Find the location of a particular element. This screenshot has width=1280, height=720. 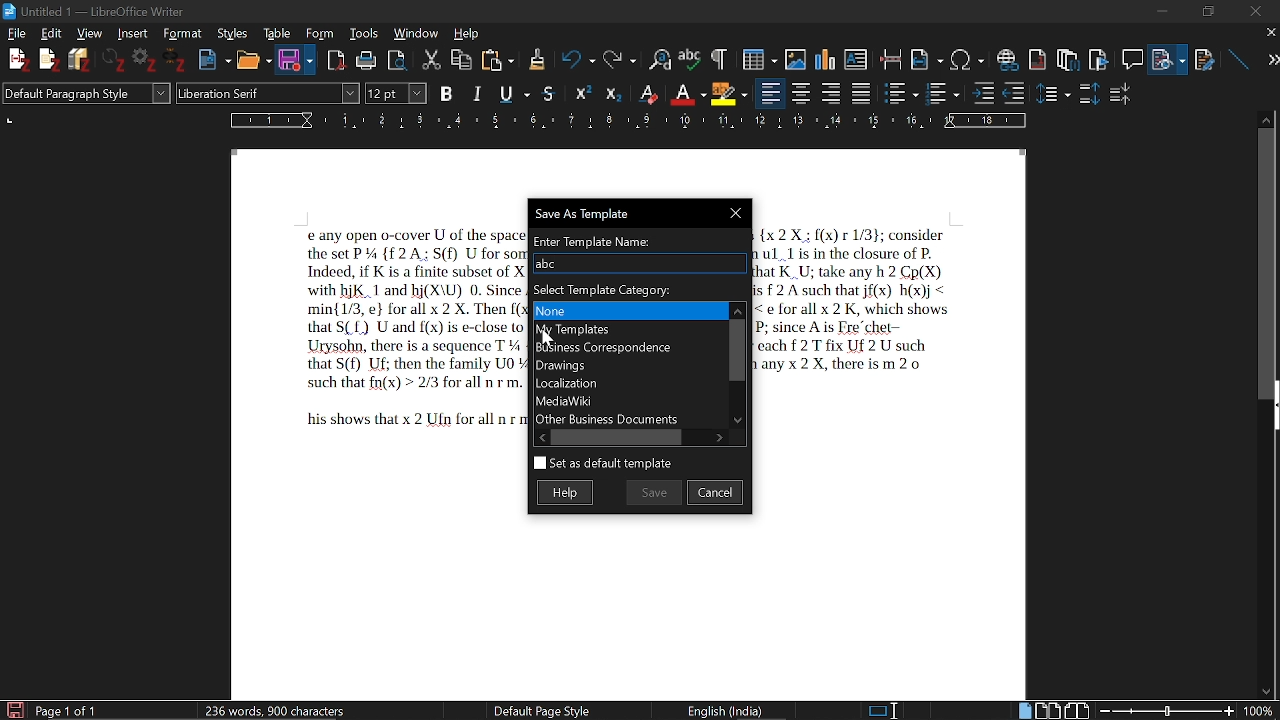

New is located at coordinates (214, 58).